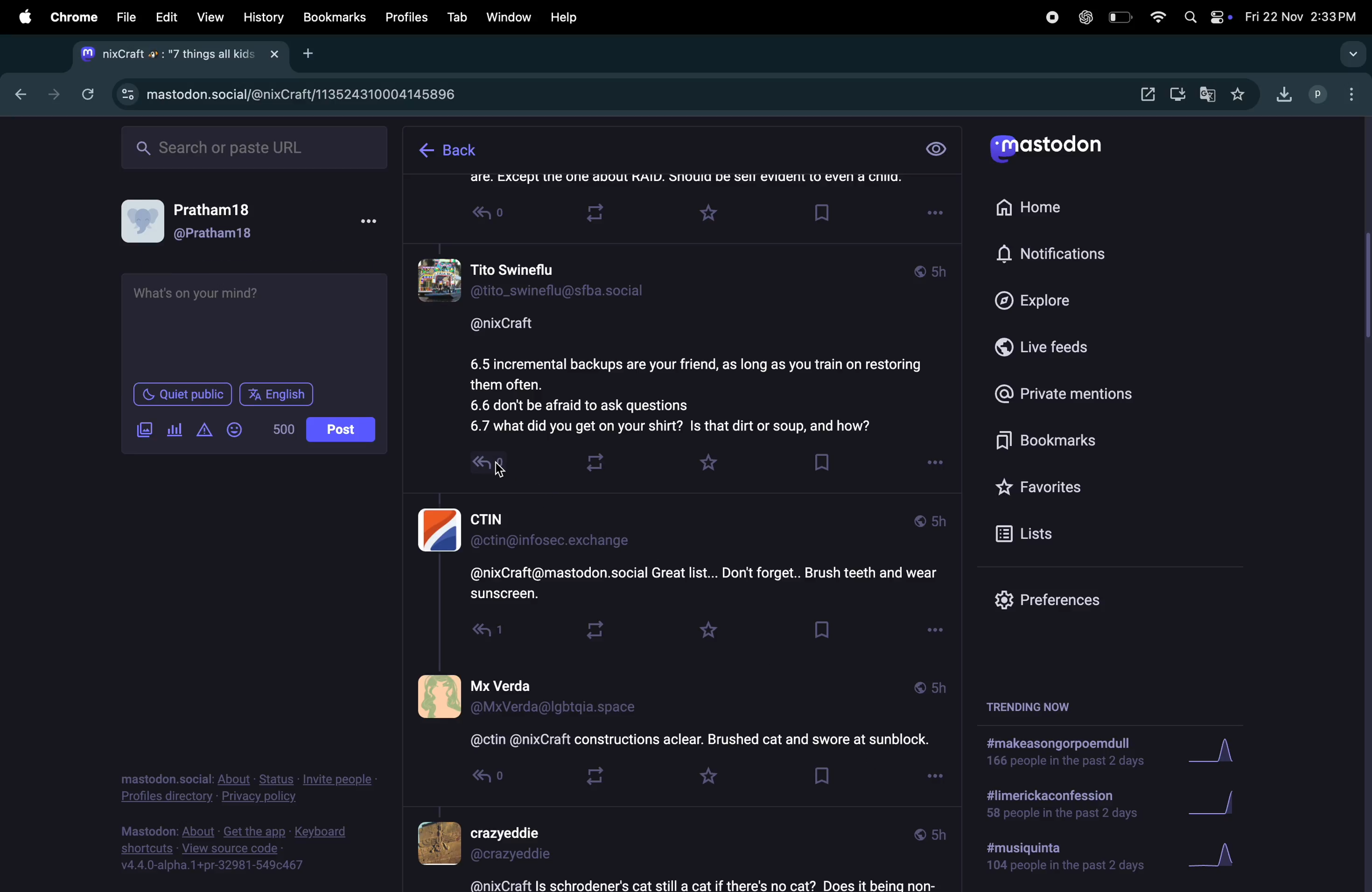 The height and width of the screenshot is (892, 1372). Describe the element at coordinates (277, 394) in the screenshot. I see `english` at that location.